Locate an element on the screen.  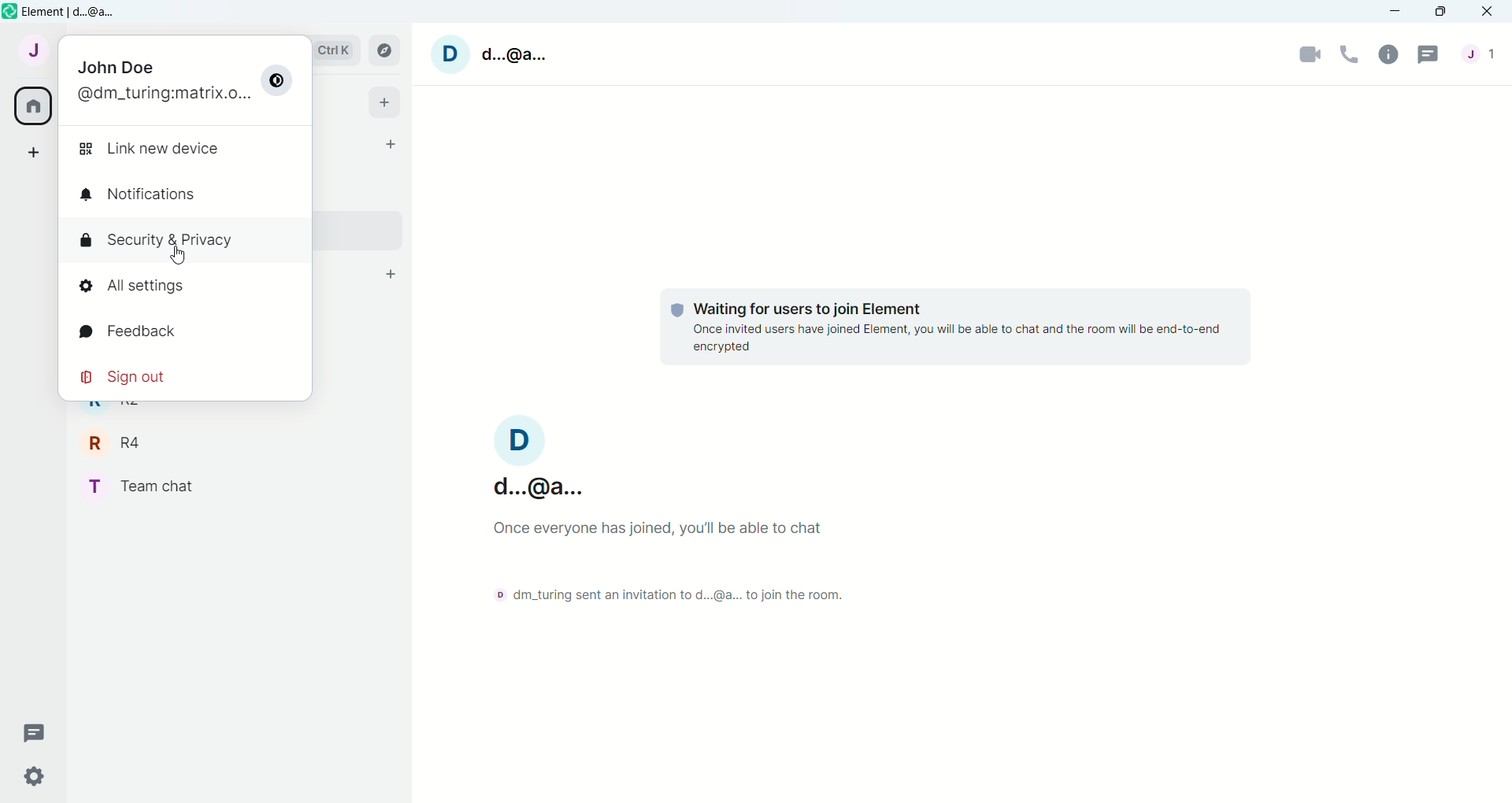
thread is located at coordinates (1429, 54).